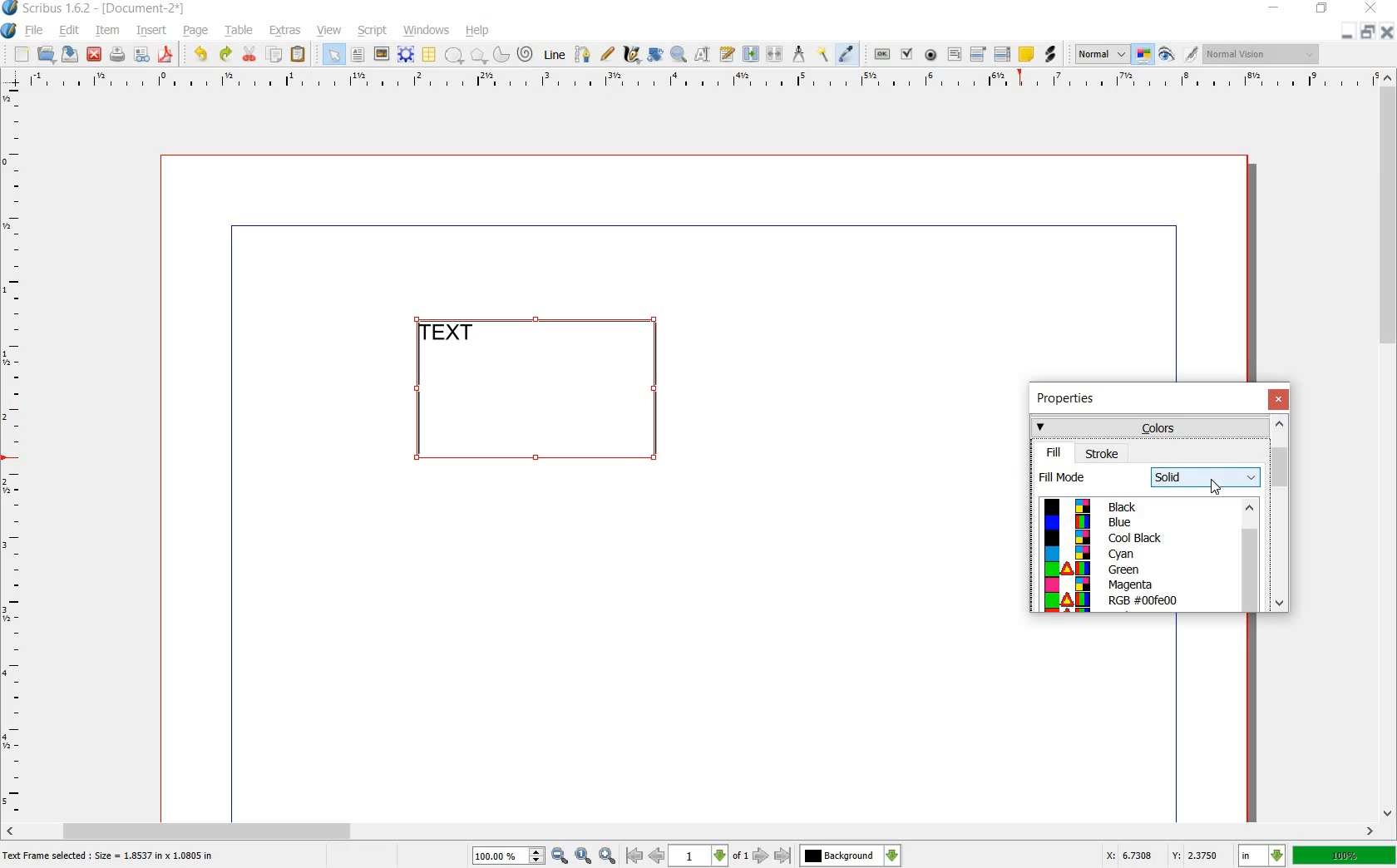 The image size is (1397, 868). Describe the element at coordinates (1167, 54) in the screenshot. I see `preview mode` at that location.